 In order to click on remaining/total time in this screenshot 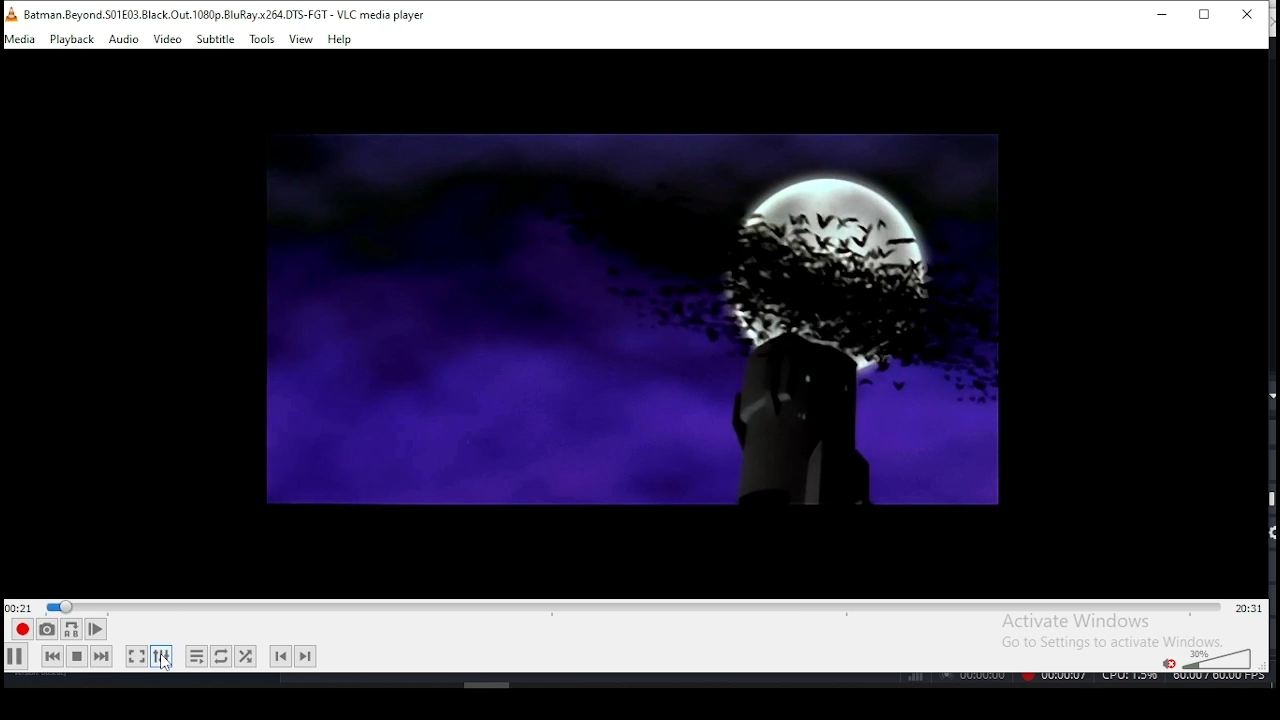, I will do `click(1248, 608)`.